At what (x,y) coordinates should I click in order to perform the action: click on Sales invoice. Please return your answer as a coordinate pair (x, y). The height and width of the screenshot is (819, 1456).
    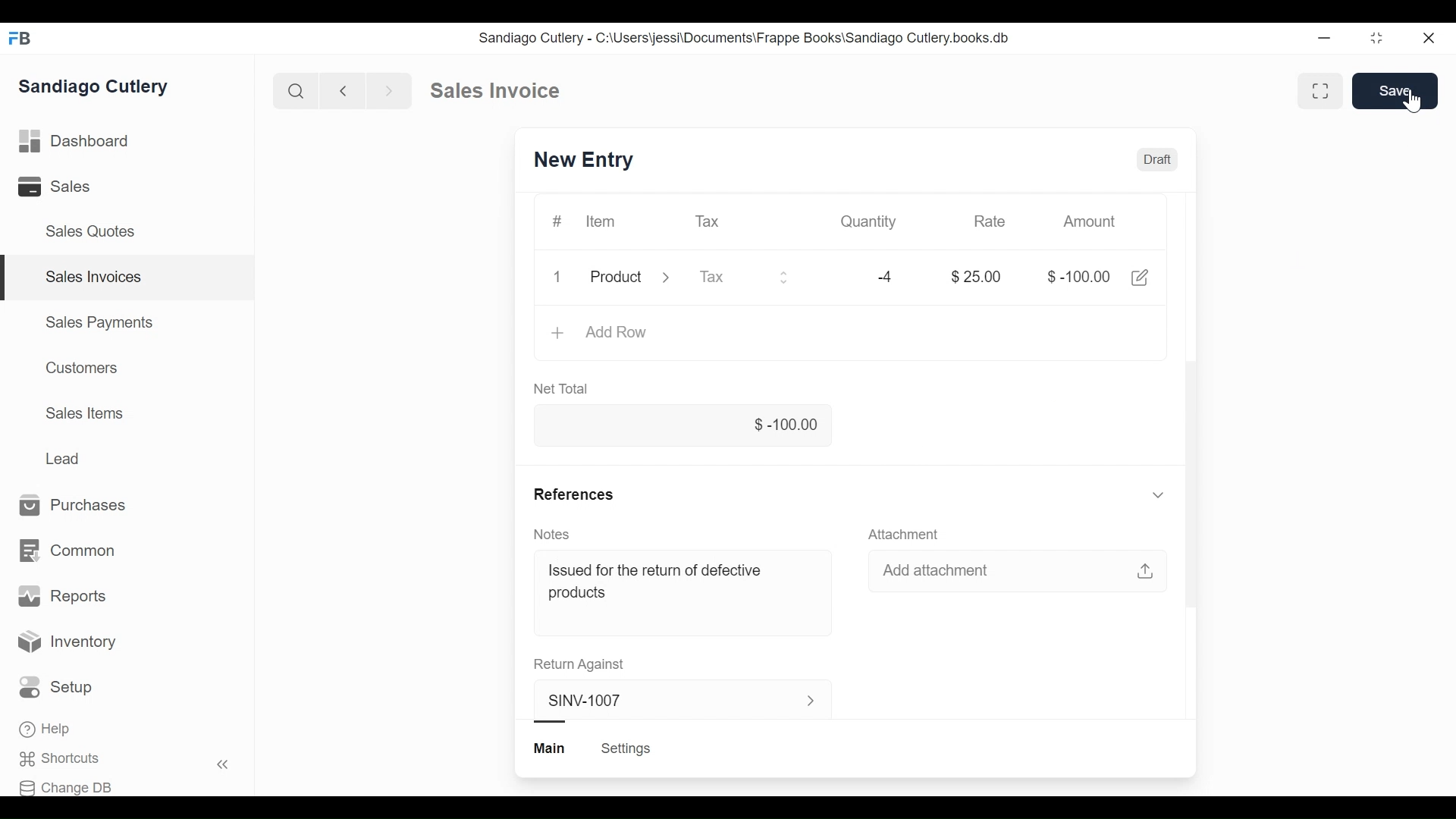
    Looking at the image, I should click on (494, 91).